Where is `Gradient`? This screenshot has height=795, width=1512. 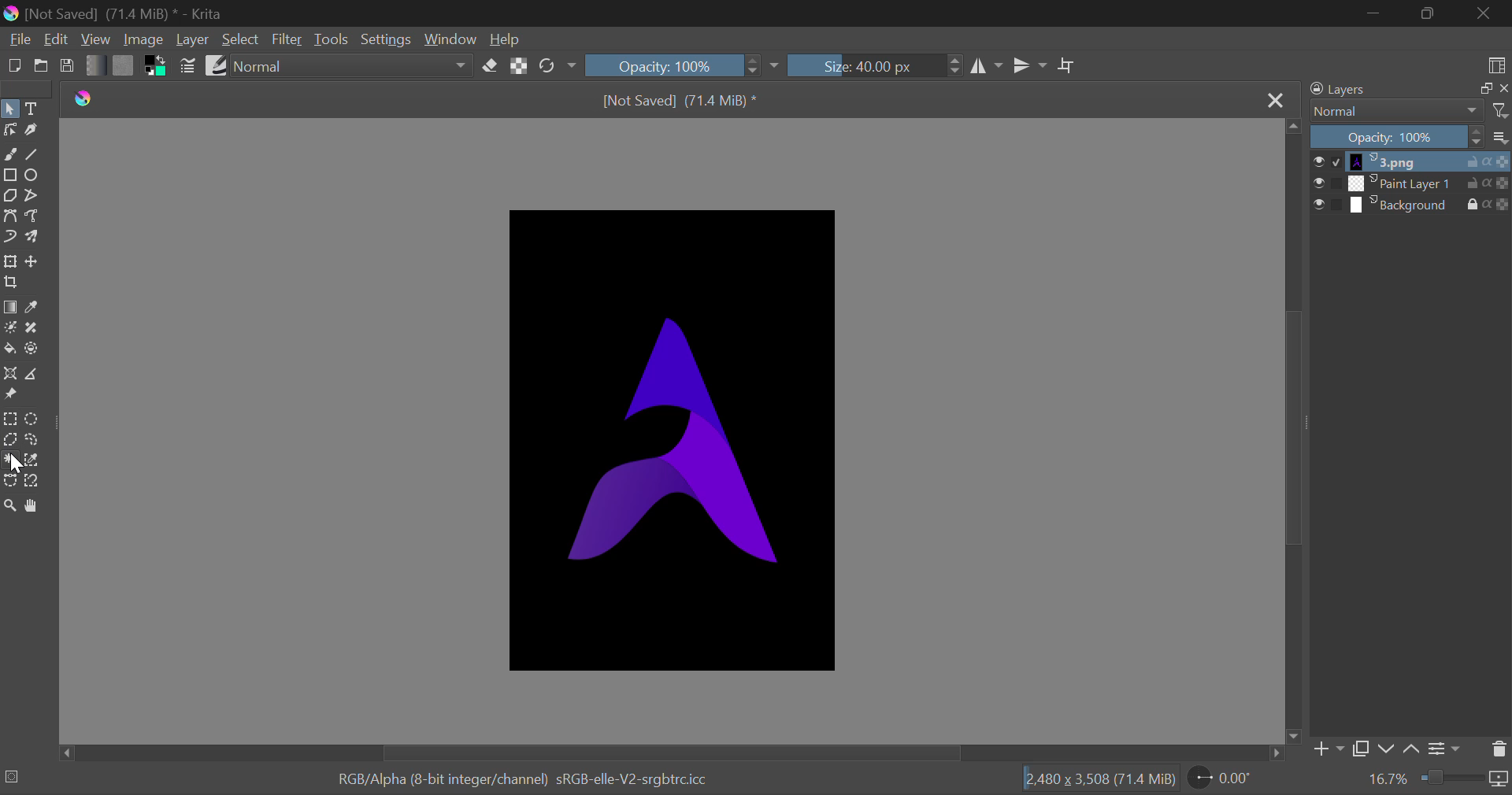
Gradient is located at coordinates (94, 66).